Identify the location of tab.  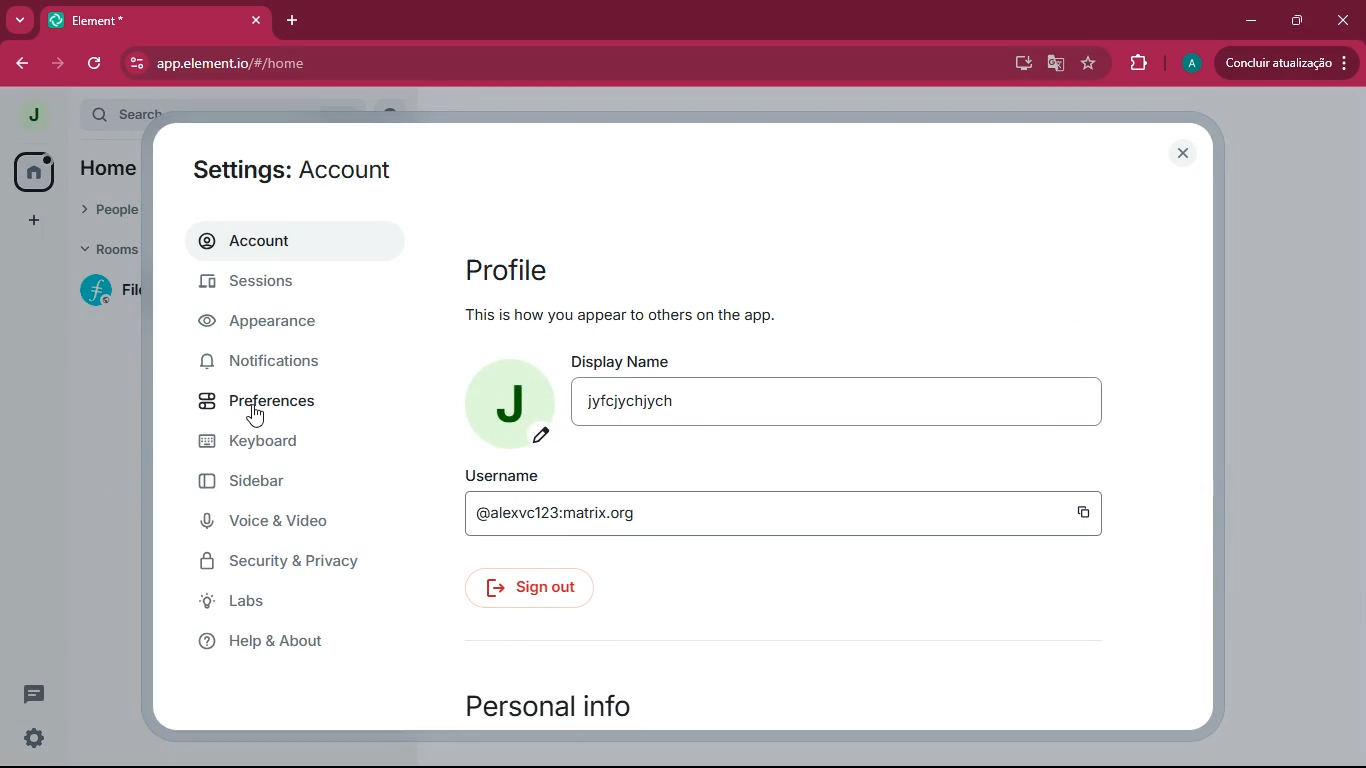
(128, 21).